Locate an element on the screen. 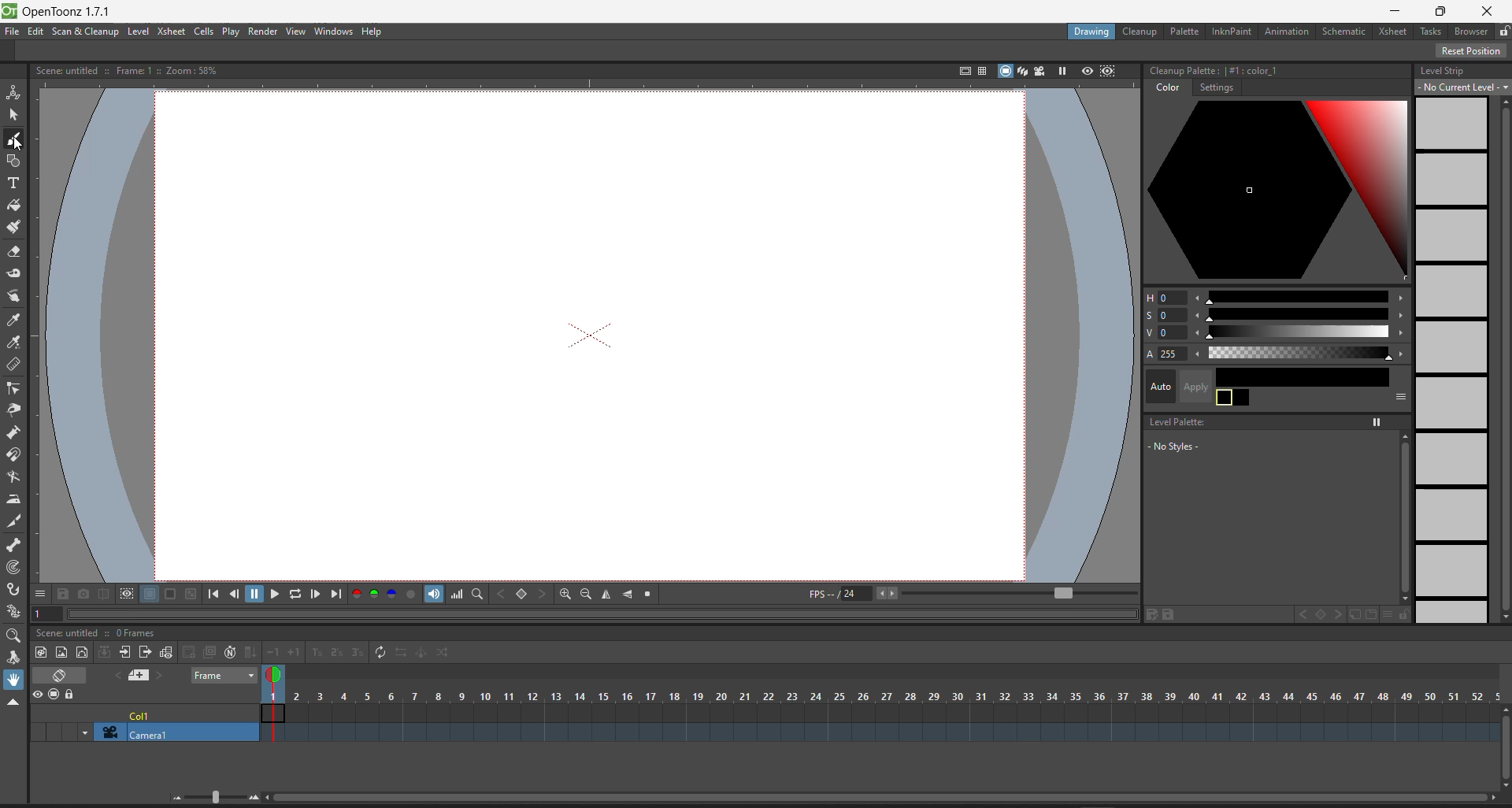 Image resolution: width=1512 pixels, height=808 pixels. pinch tool is located at coordinates (19, 410).